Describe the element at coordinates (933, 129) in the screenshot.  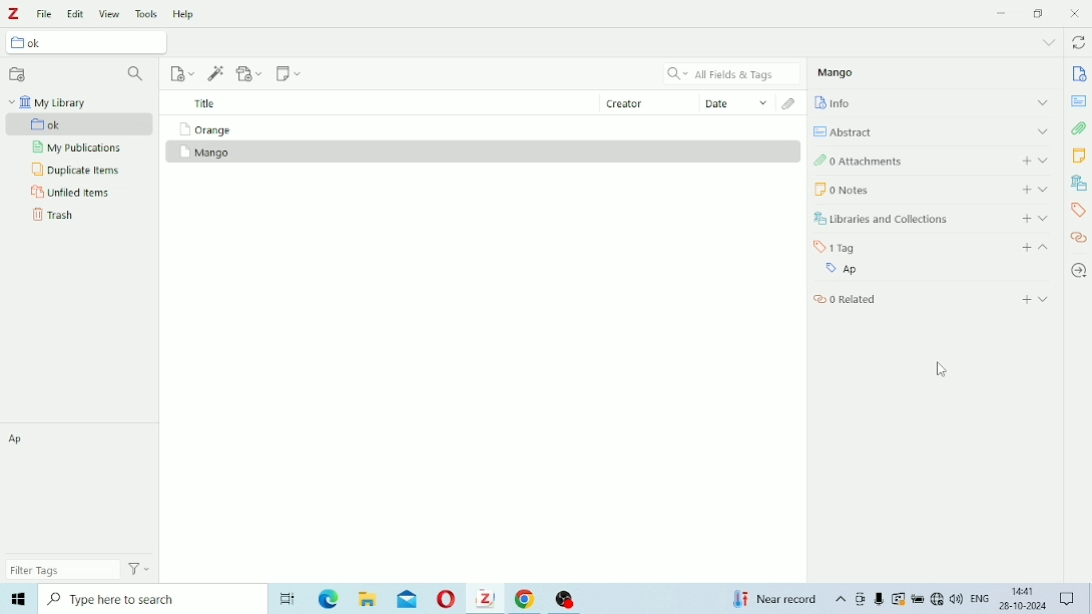
I see `Abstract` at that location.